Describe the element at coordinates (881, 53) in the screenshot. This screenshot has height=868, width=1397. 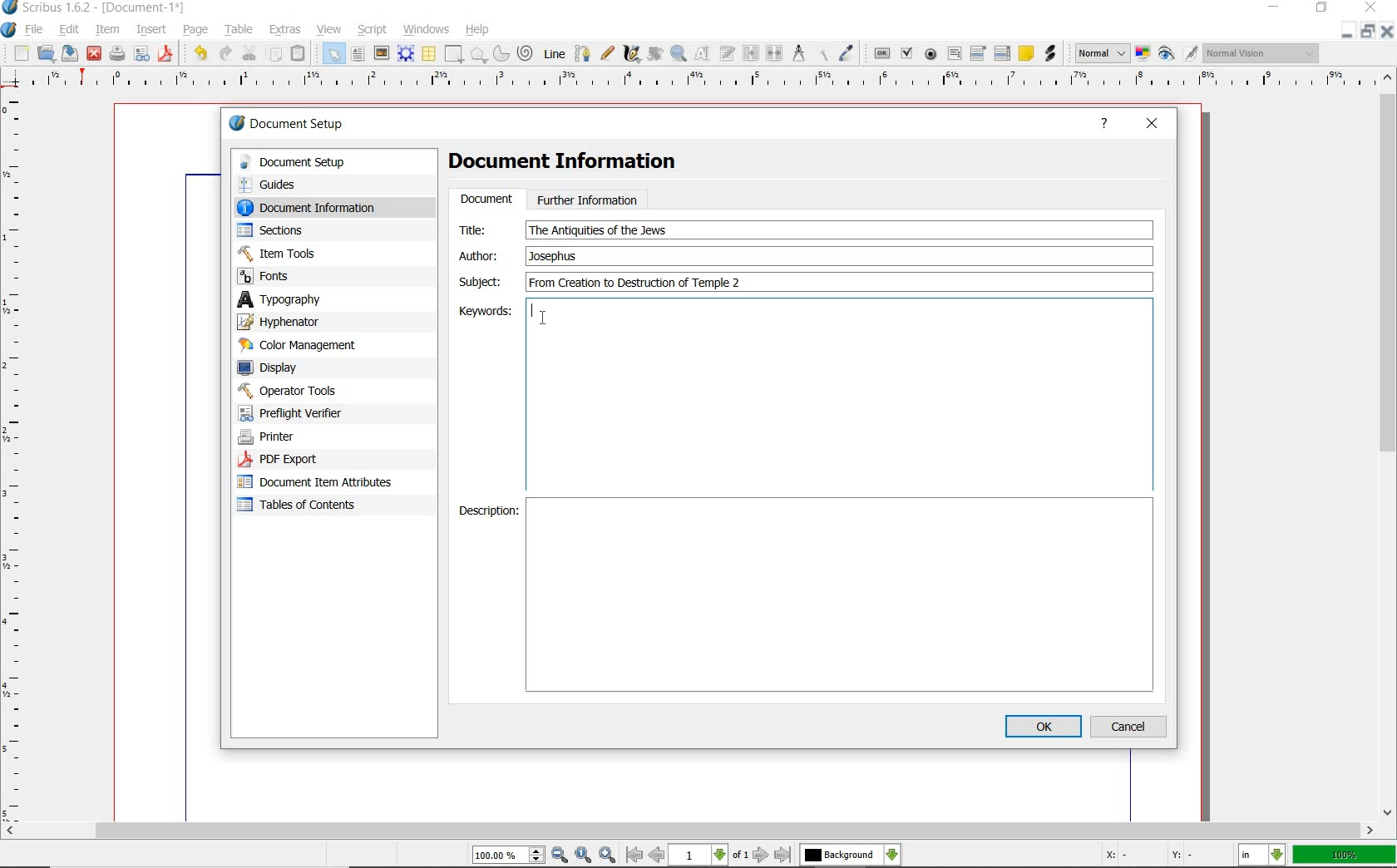
I see `pdf push button` at that location.